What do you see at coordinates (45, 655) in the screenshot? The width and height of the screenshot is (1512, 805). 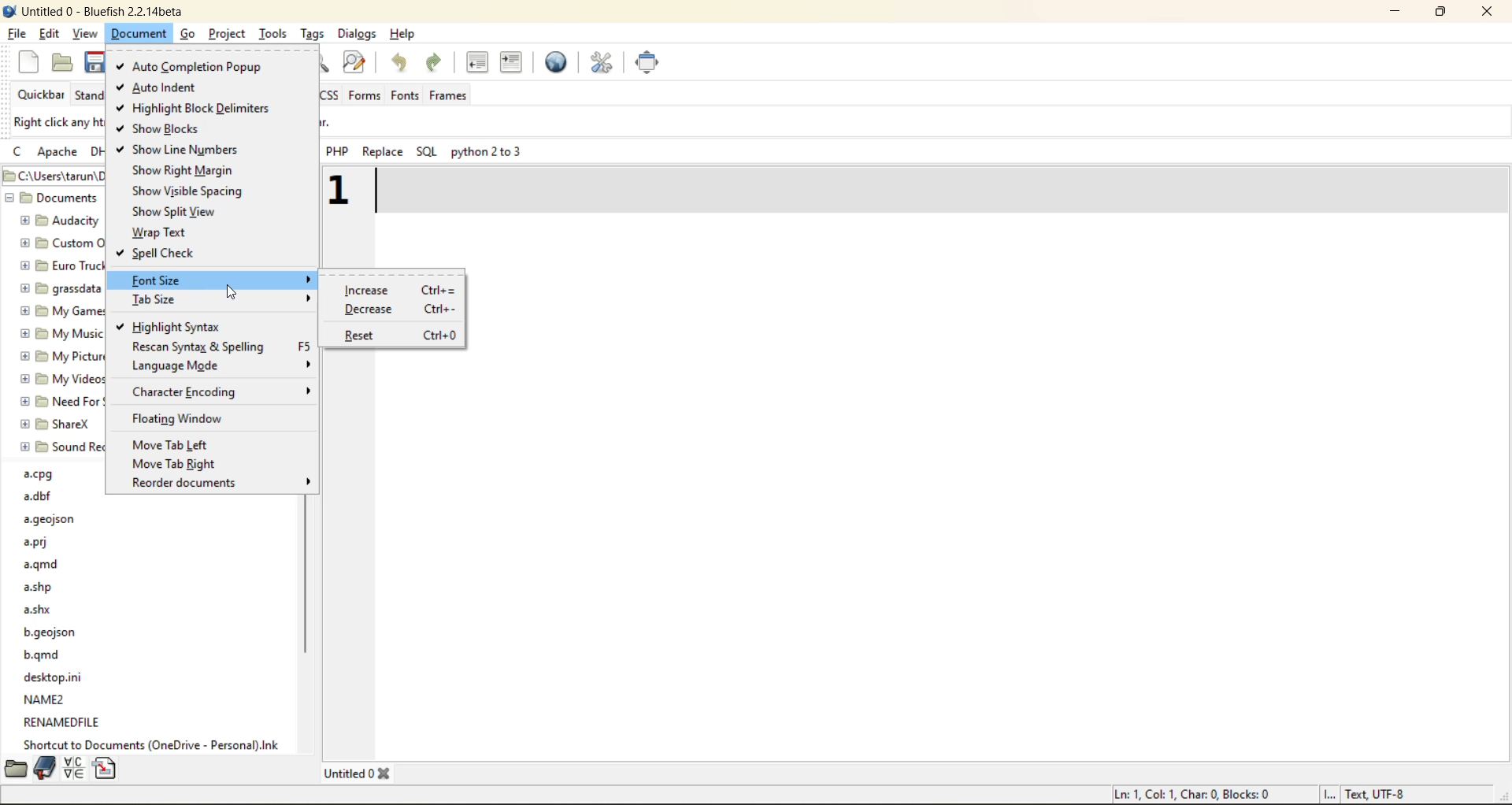 I see `b.qmd` at bounding box center [45, 655].